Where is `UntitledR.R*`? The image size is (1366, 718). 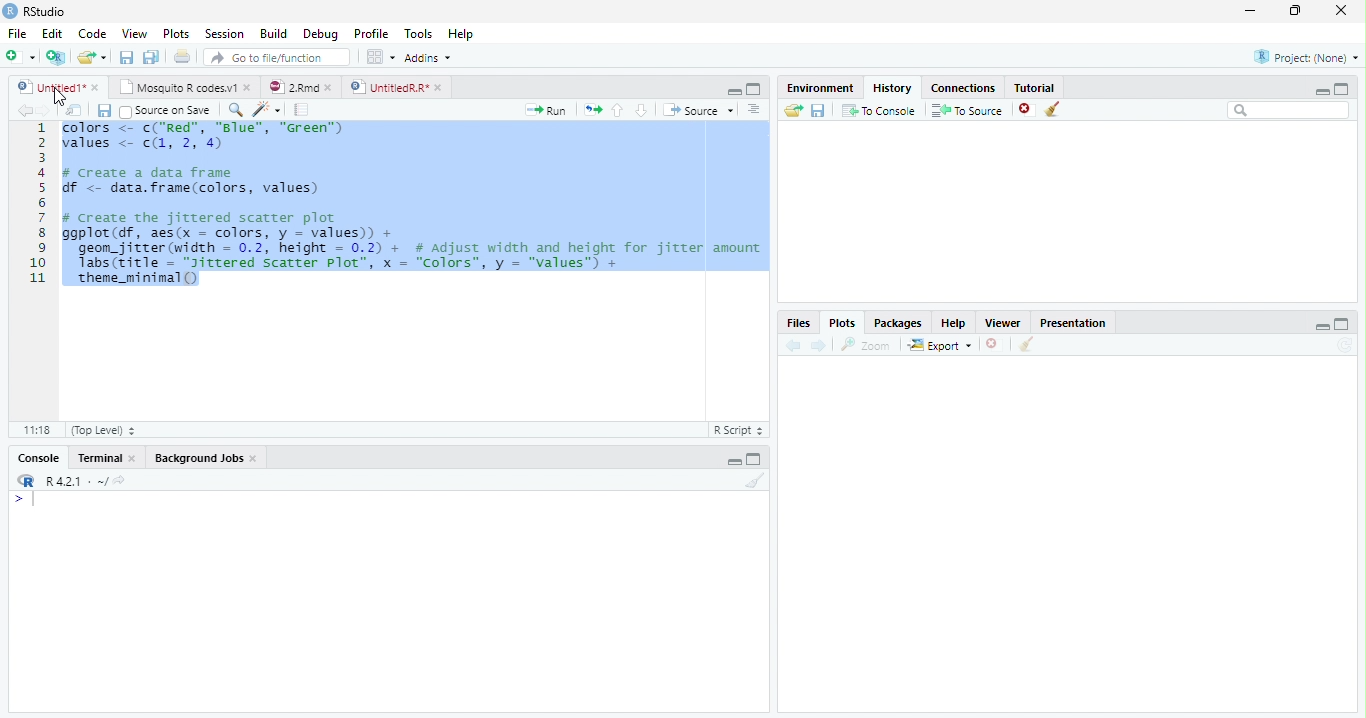
UntitledR.R* is located at coordinates (388, 88).